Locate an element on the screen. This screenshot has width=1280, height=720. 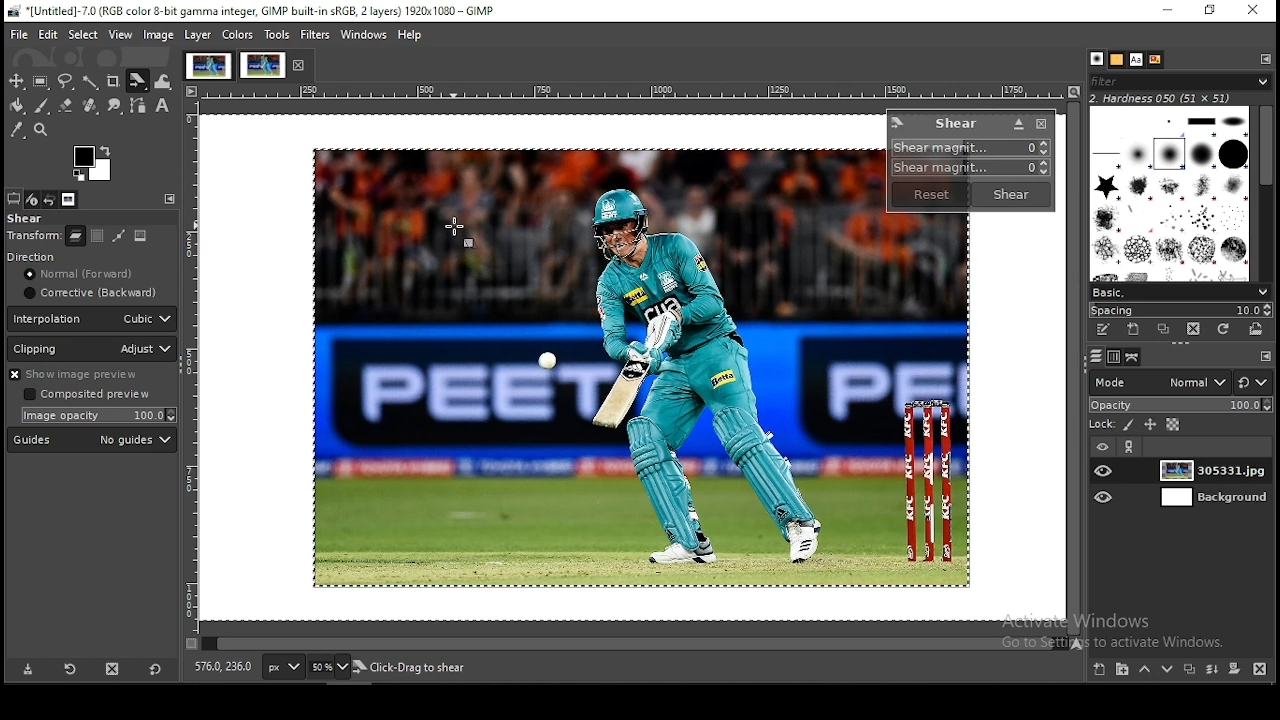
restore is located at coordinates (1211, 12).